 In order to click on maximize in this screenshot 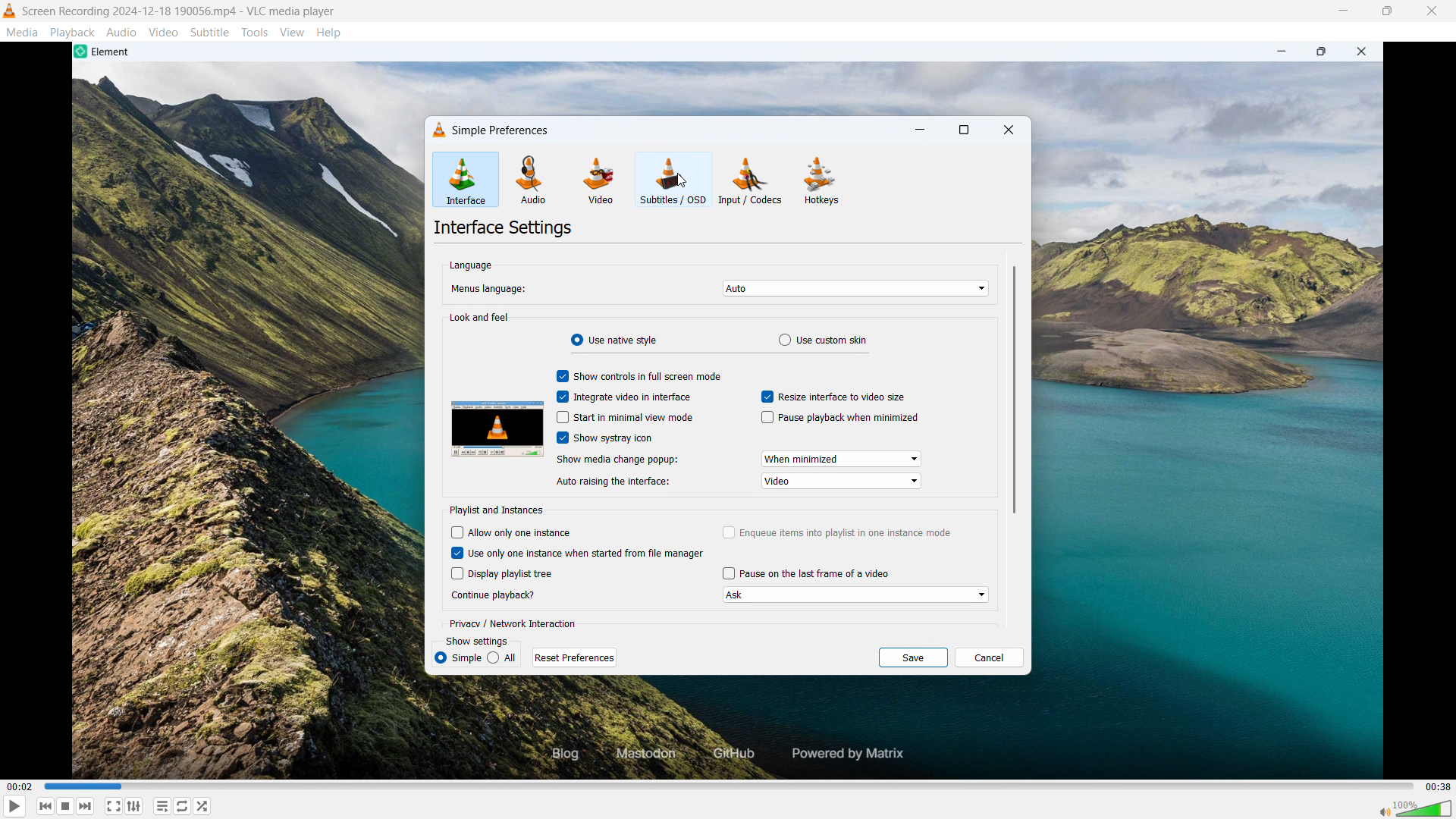, I will do `click(963, 131)`.